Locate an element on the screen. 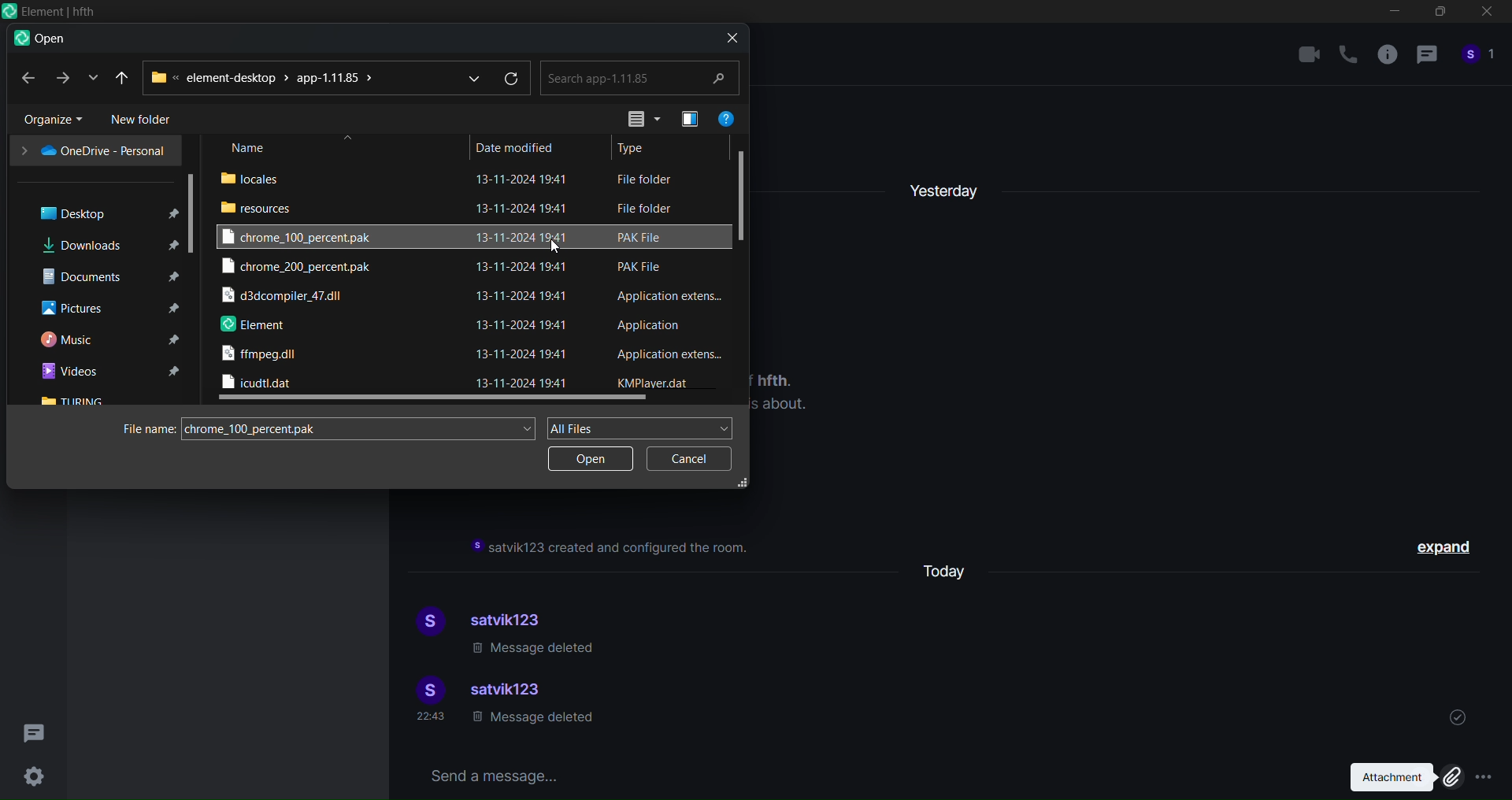 The image size is (1512, 800). d3 dll is located at coordinates (286, 298).